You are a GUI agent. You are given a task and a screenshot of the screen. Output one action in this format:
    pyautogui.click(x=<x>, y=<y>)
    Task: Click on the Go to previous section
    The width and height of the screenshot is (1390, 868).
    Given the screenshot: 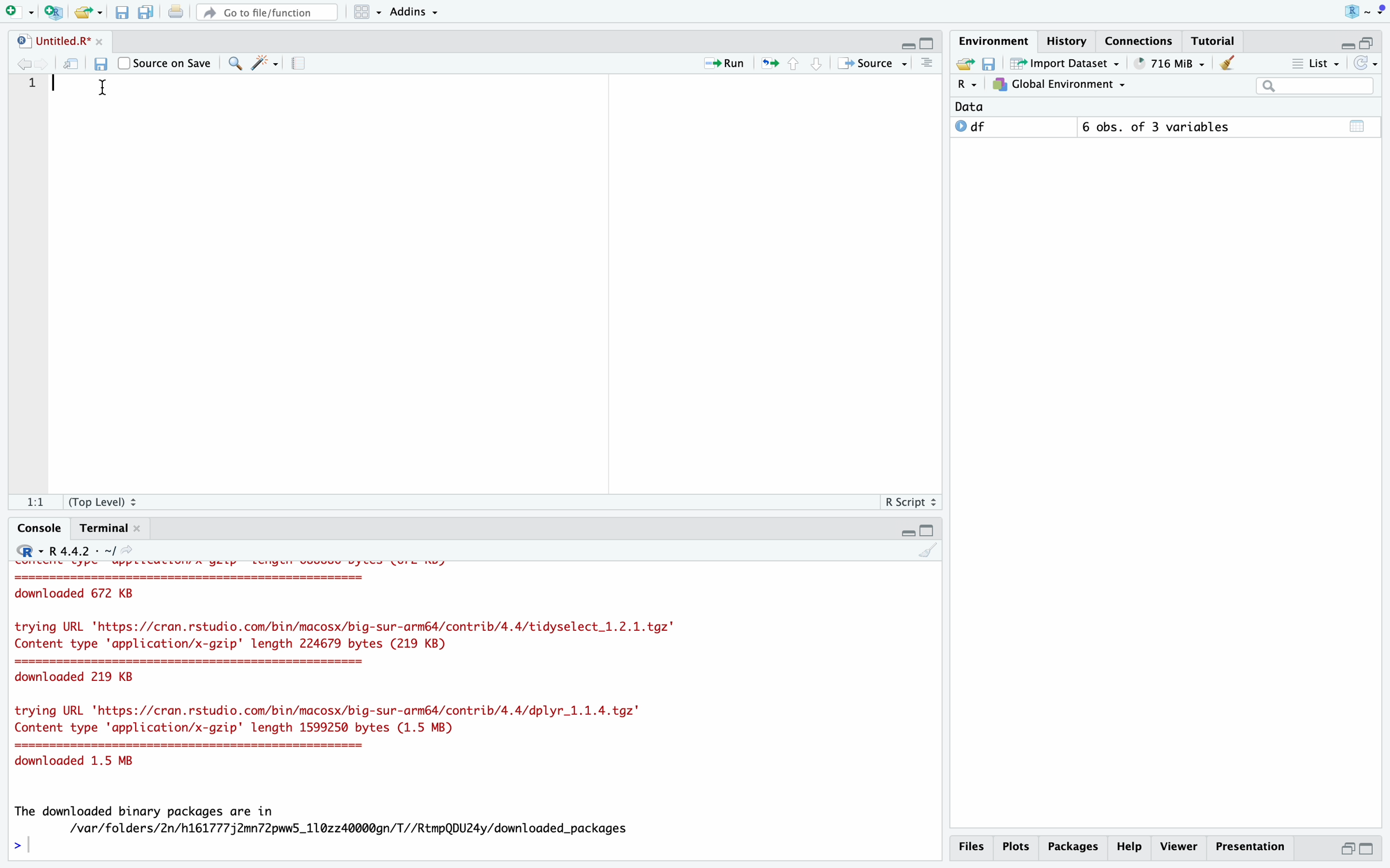 What is the action you would take?
    pyautogui.click(x=794, y=62)
    